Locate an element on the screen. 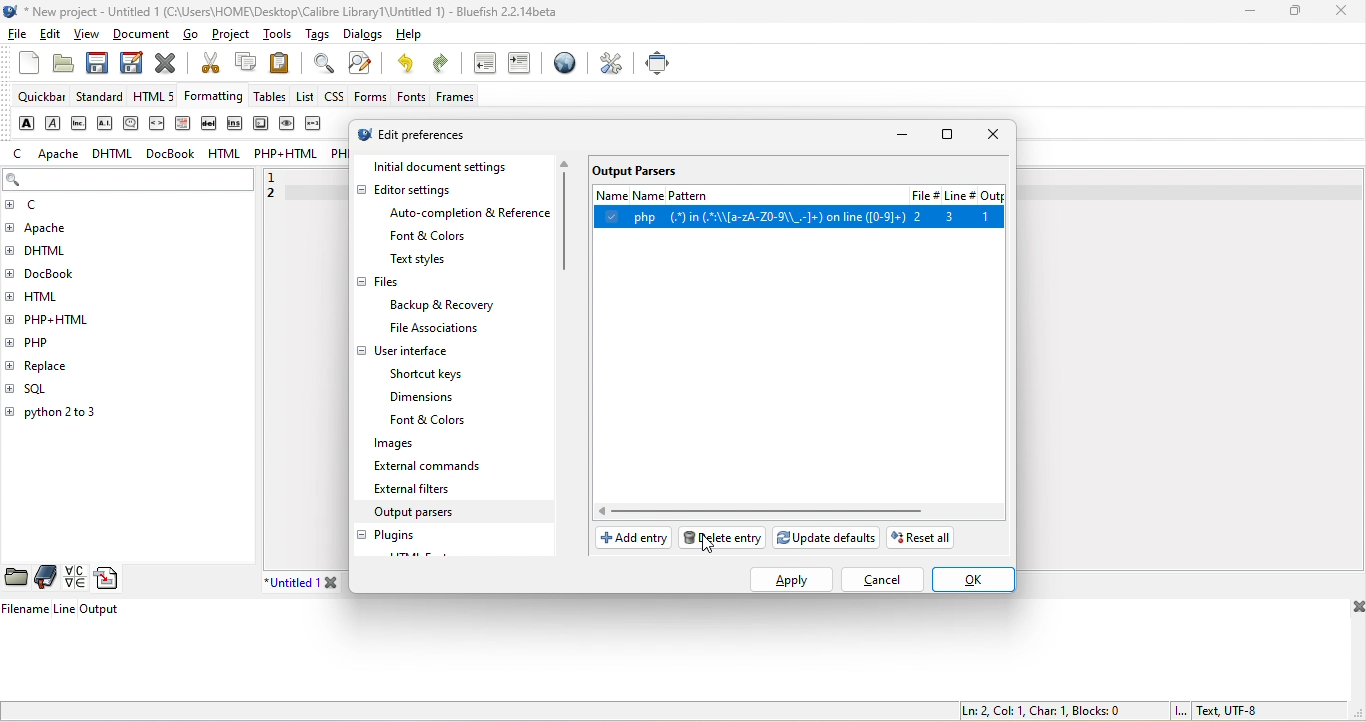 This screenshot has width=1366, height=722. vertical scroll bar is located at coordinates (566, 218).